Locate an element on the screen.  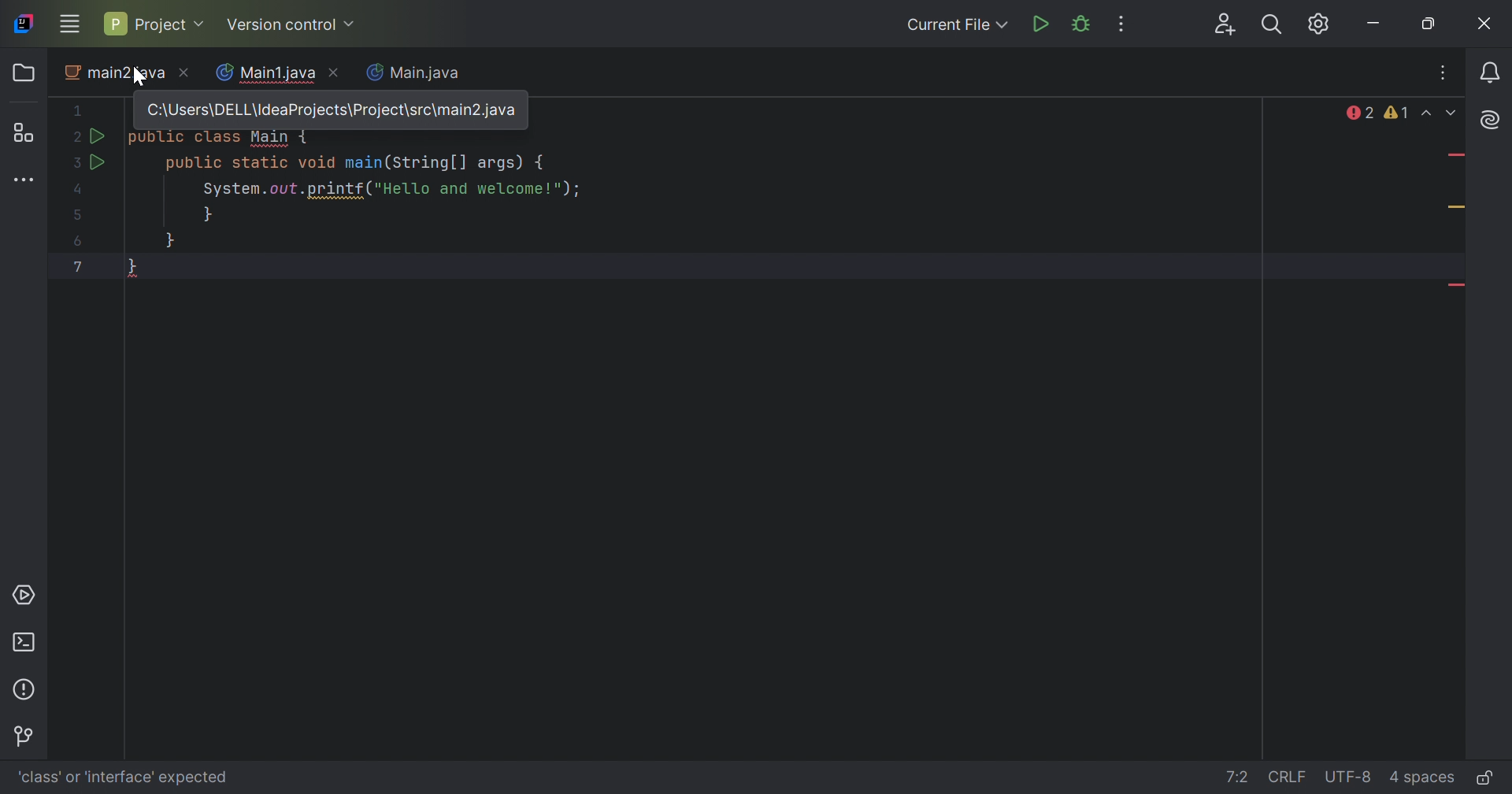
2 is located at coordinates (73, 139).